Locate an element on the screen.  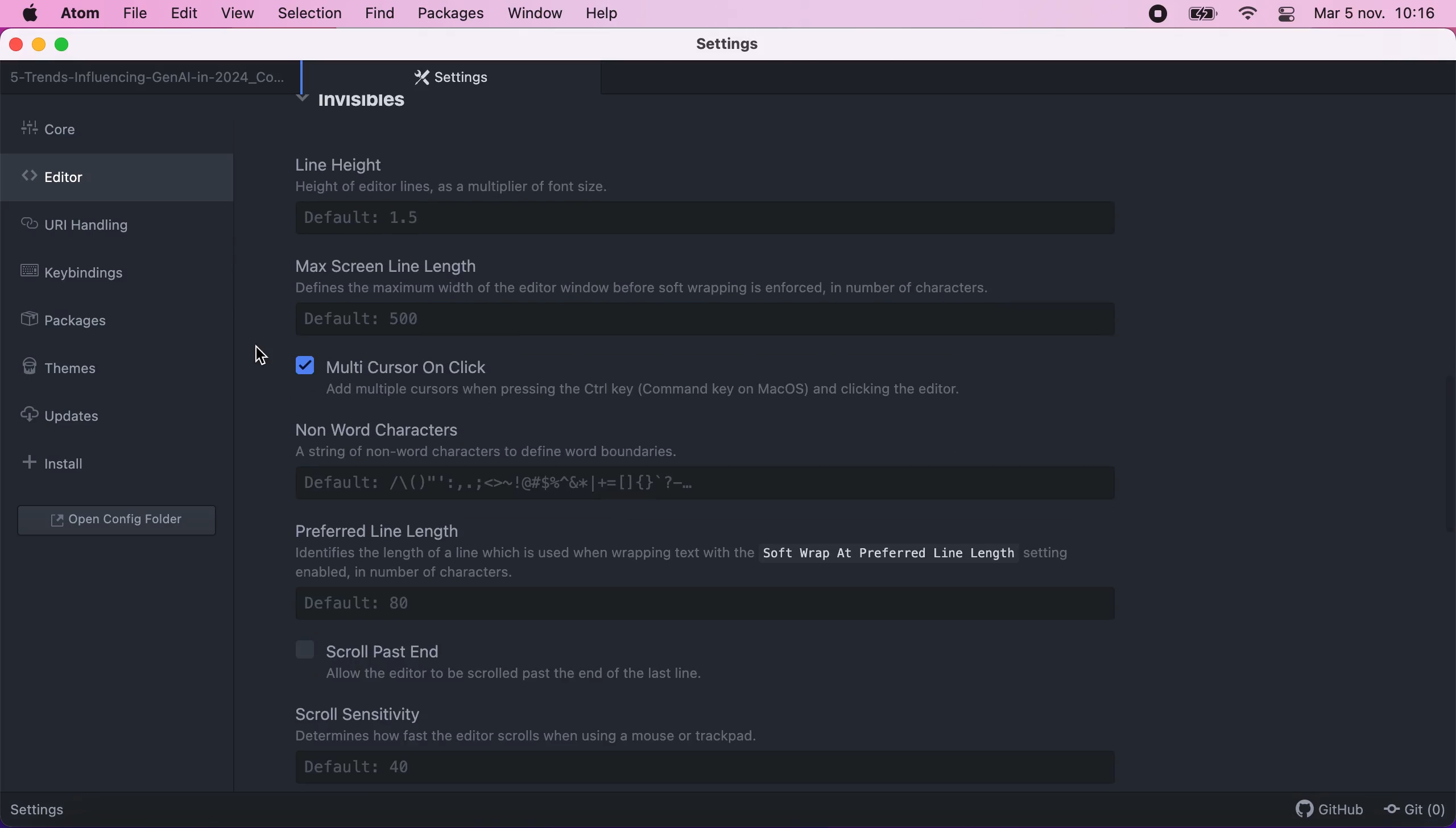
max screen line length is located at coordinates (704, 298).